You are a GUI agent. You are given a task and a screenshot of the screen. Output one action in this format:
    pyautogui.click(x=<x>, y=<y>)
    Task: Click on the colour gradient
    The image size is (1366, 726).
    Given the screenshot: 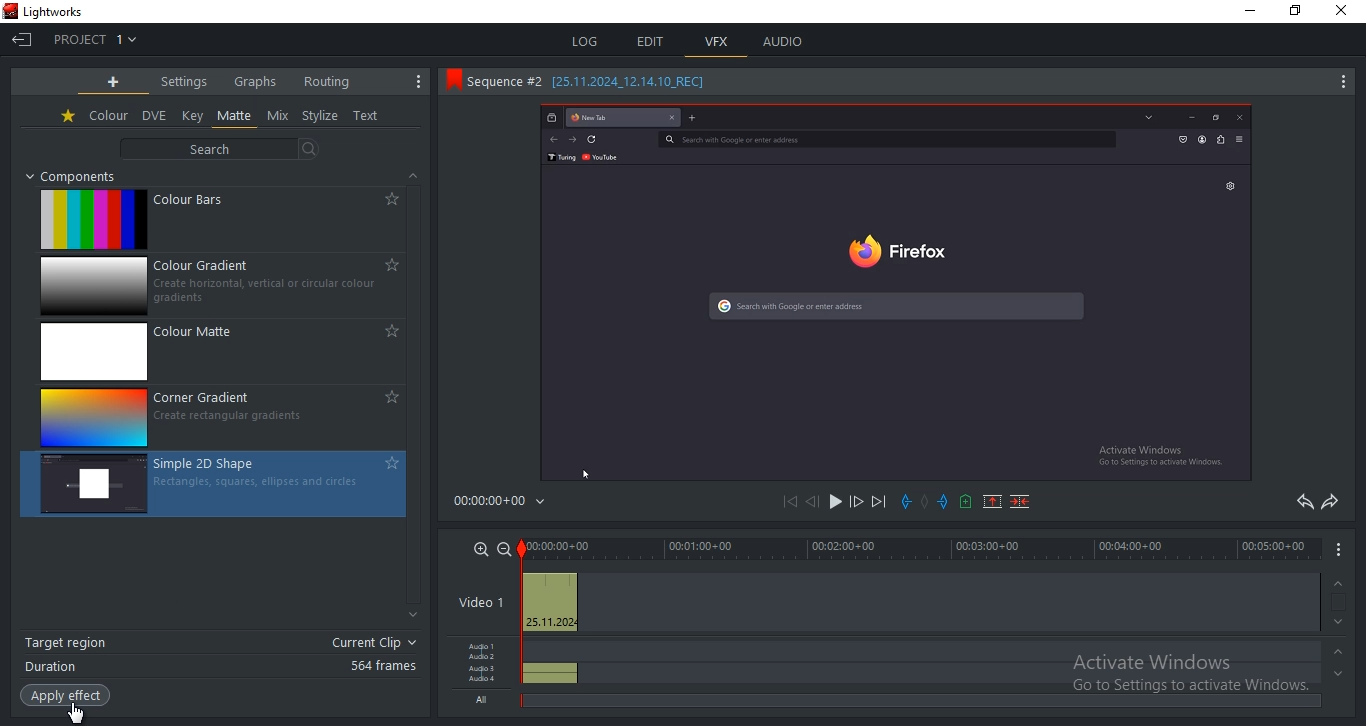 What is the action you would take?
    pyautogui.click(x=227, y=287)
    